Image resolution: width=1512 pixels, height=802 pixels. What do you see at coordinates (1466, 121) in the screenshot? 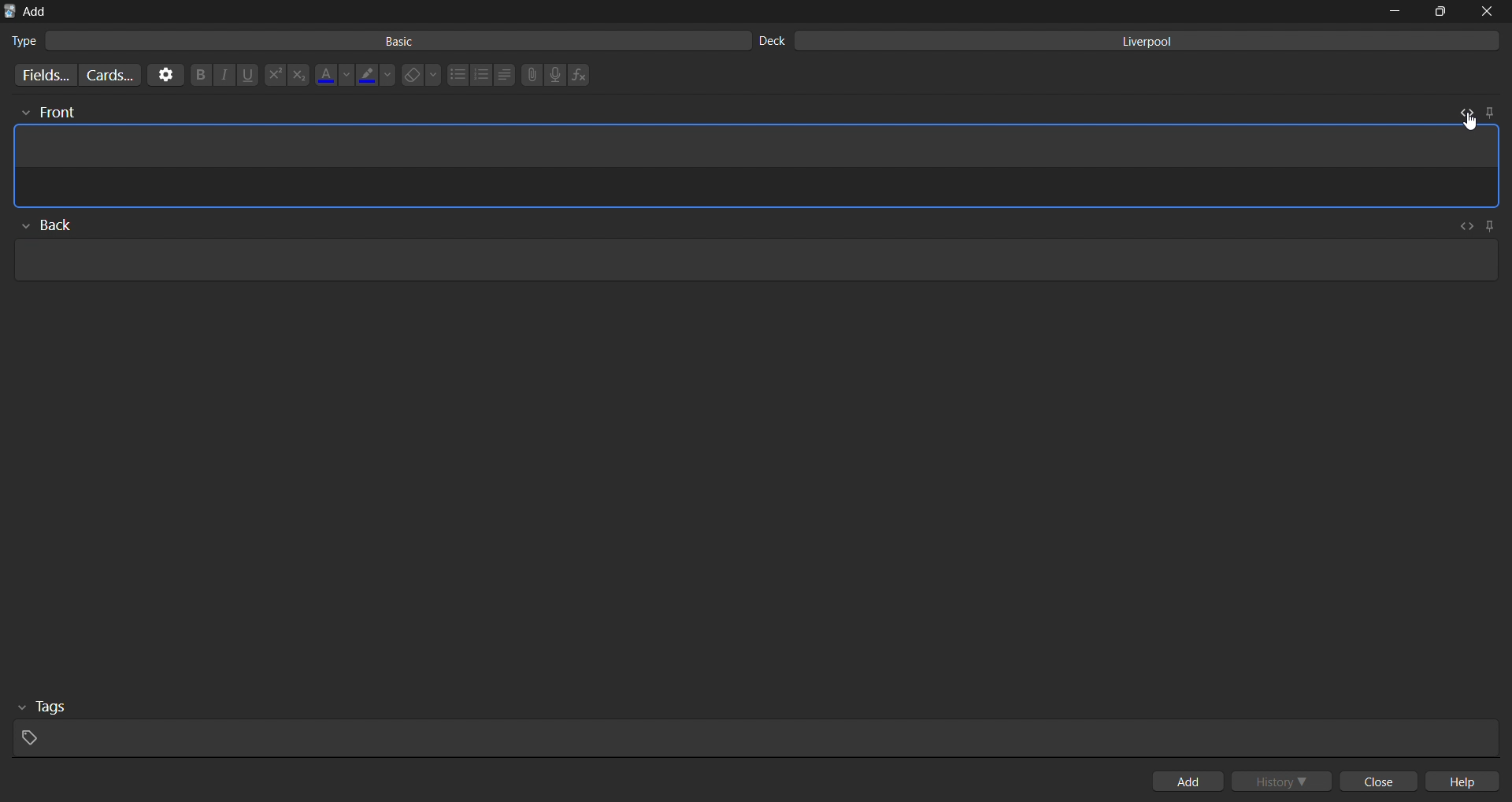
I see `cursor` at bounding box center [1466, 121].